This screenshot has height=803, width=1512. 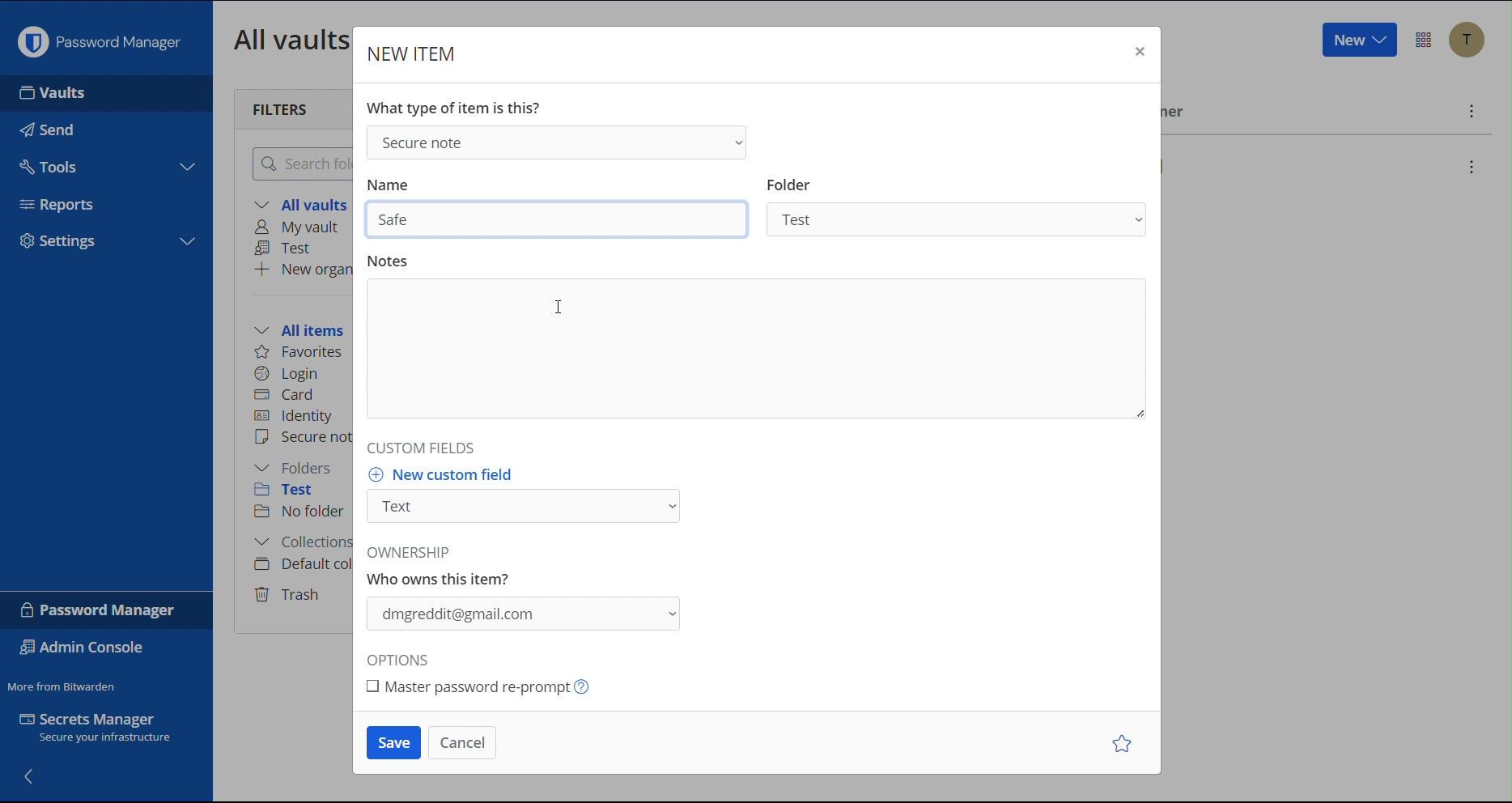 I want to click on Test, so click(x=295, y=492).